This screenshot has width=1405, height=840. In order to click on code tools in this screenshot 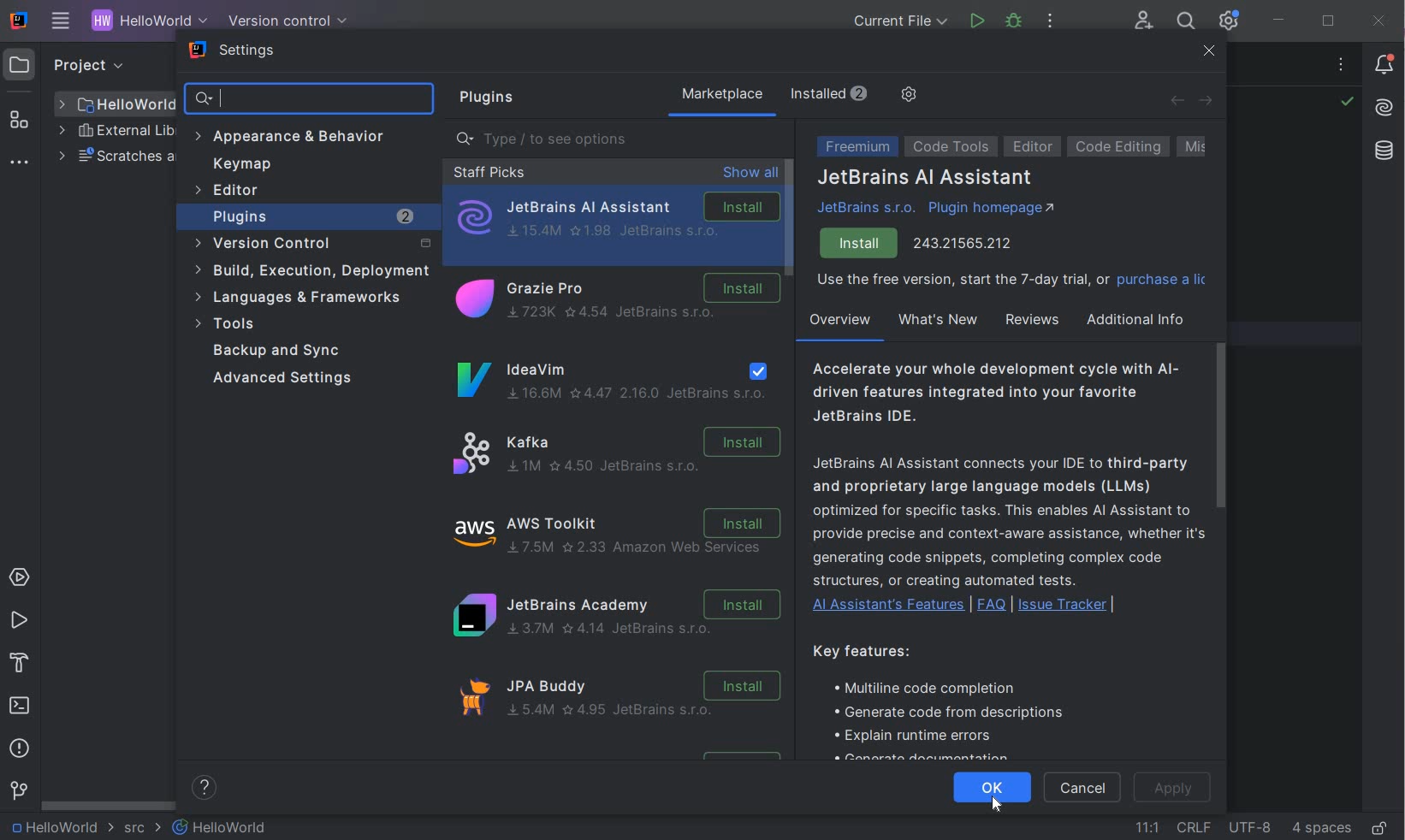, I will do `click(951, 149)`.